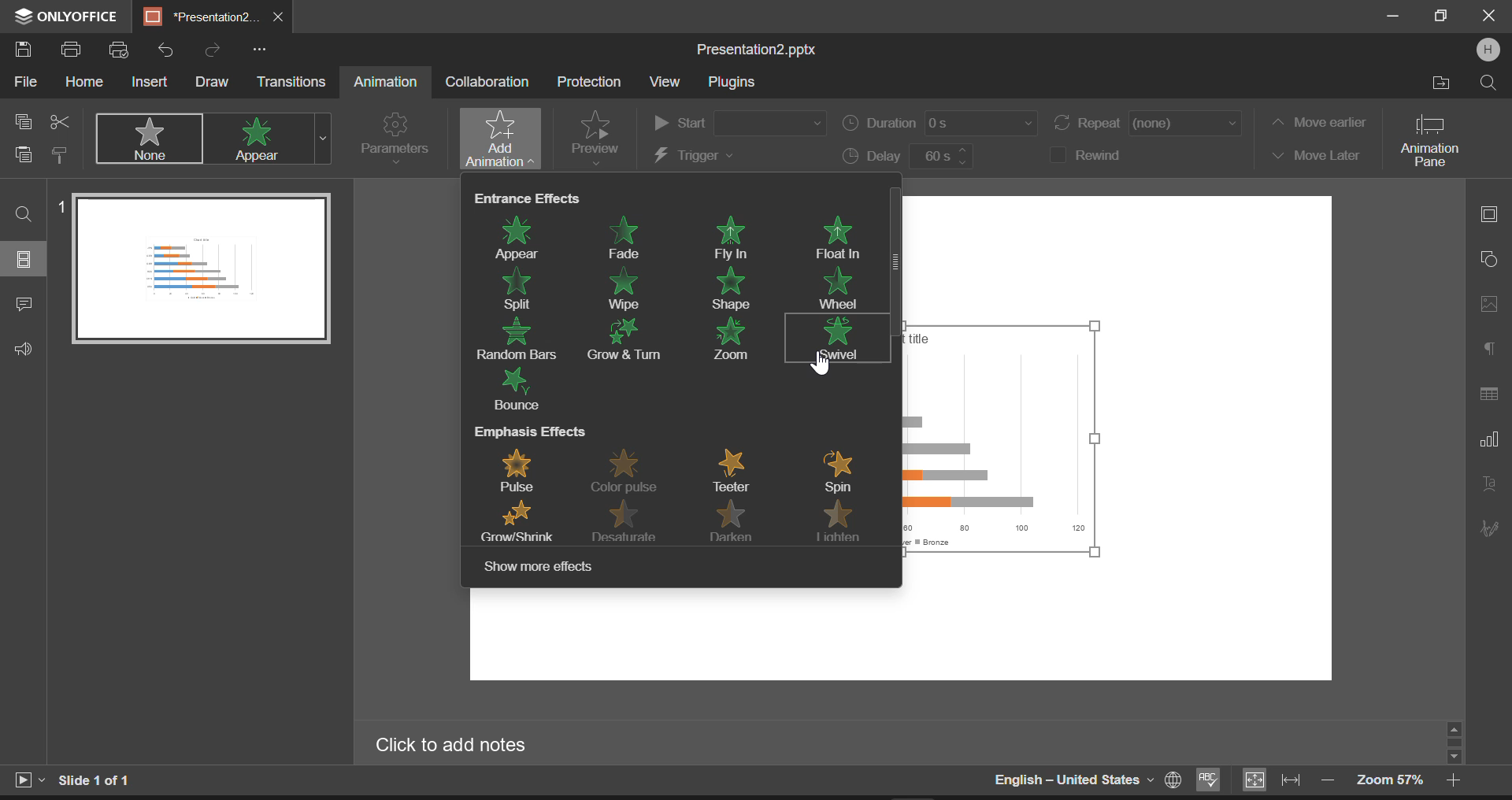  What do you see at coordinates (525, 197) in the screenshot?
I see `Enhance Effects` at bounding box center [525, 197].